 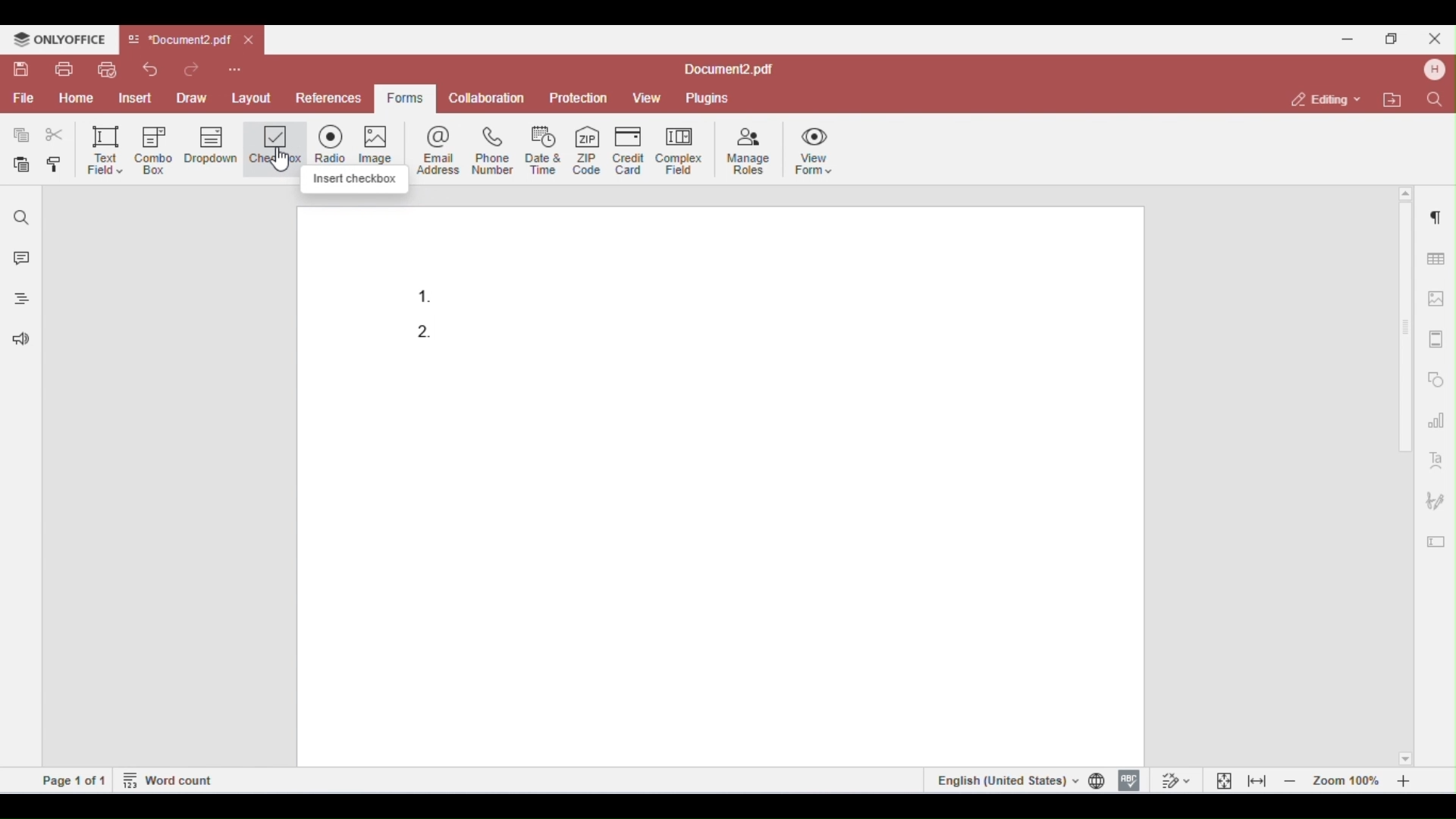 What do you see at coordinates (1432, 70) in the screenshot?
I see `account` at bounding box center [1432, 70].